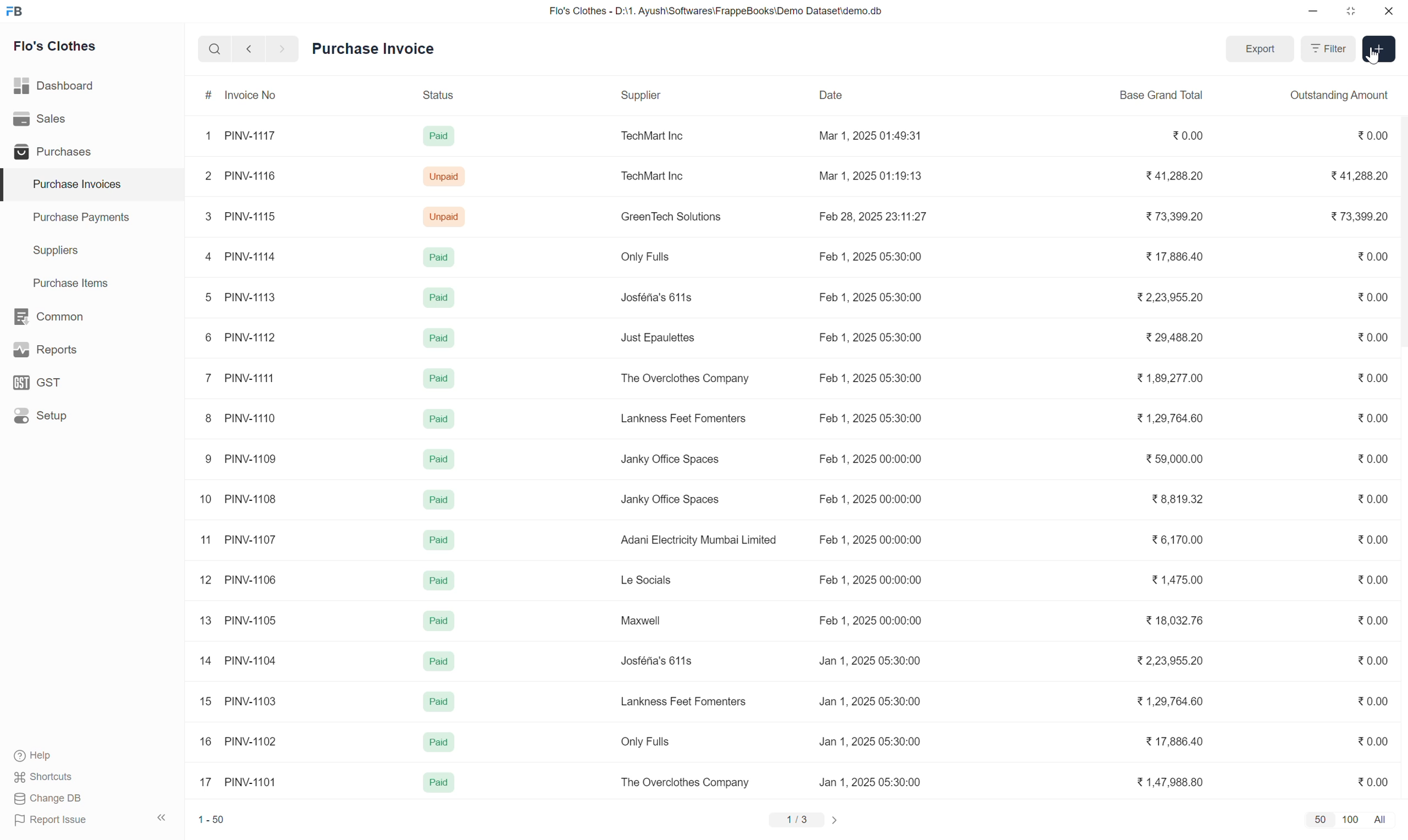 The image size is (1408, 840). I want to click on Search, so click(215, 49).